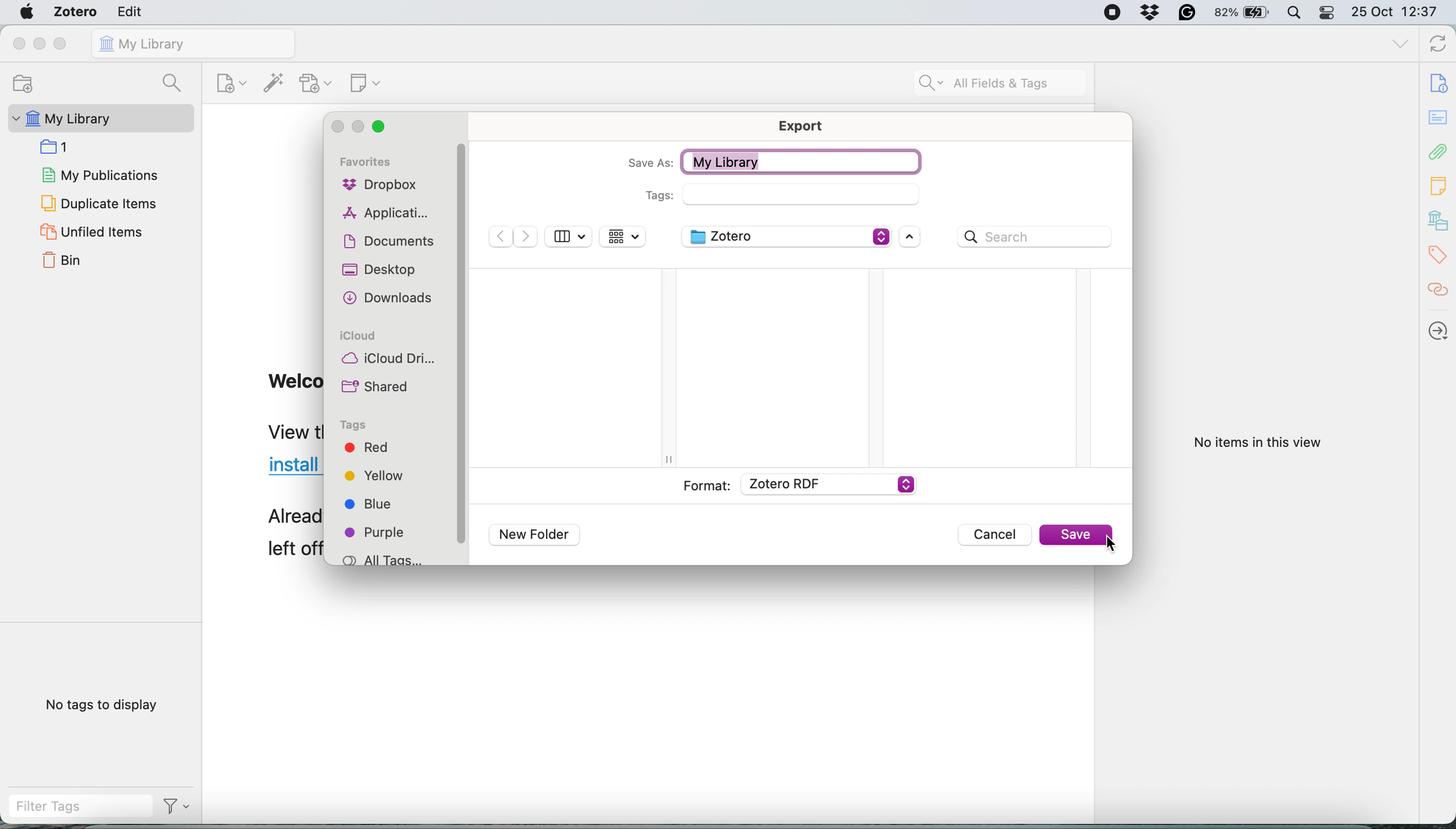  Describe the element at coordinates (382, 450) in the screenshot. I see `Red` at that location.